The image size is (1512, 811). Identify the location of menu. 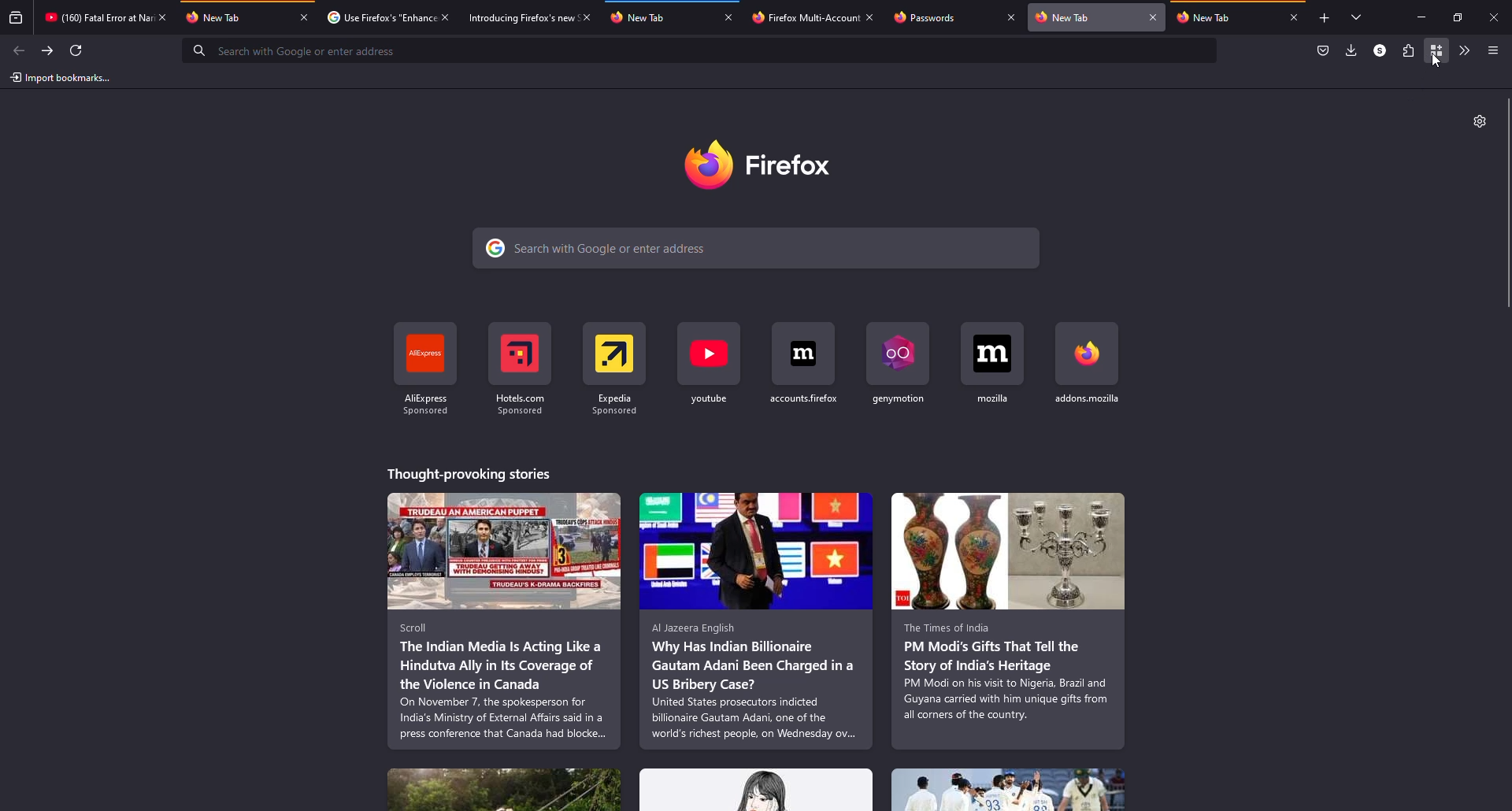
(1492, 50).